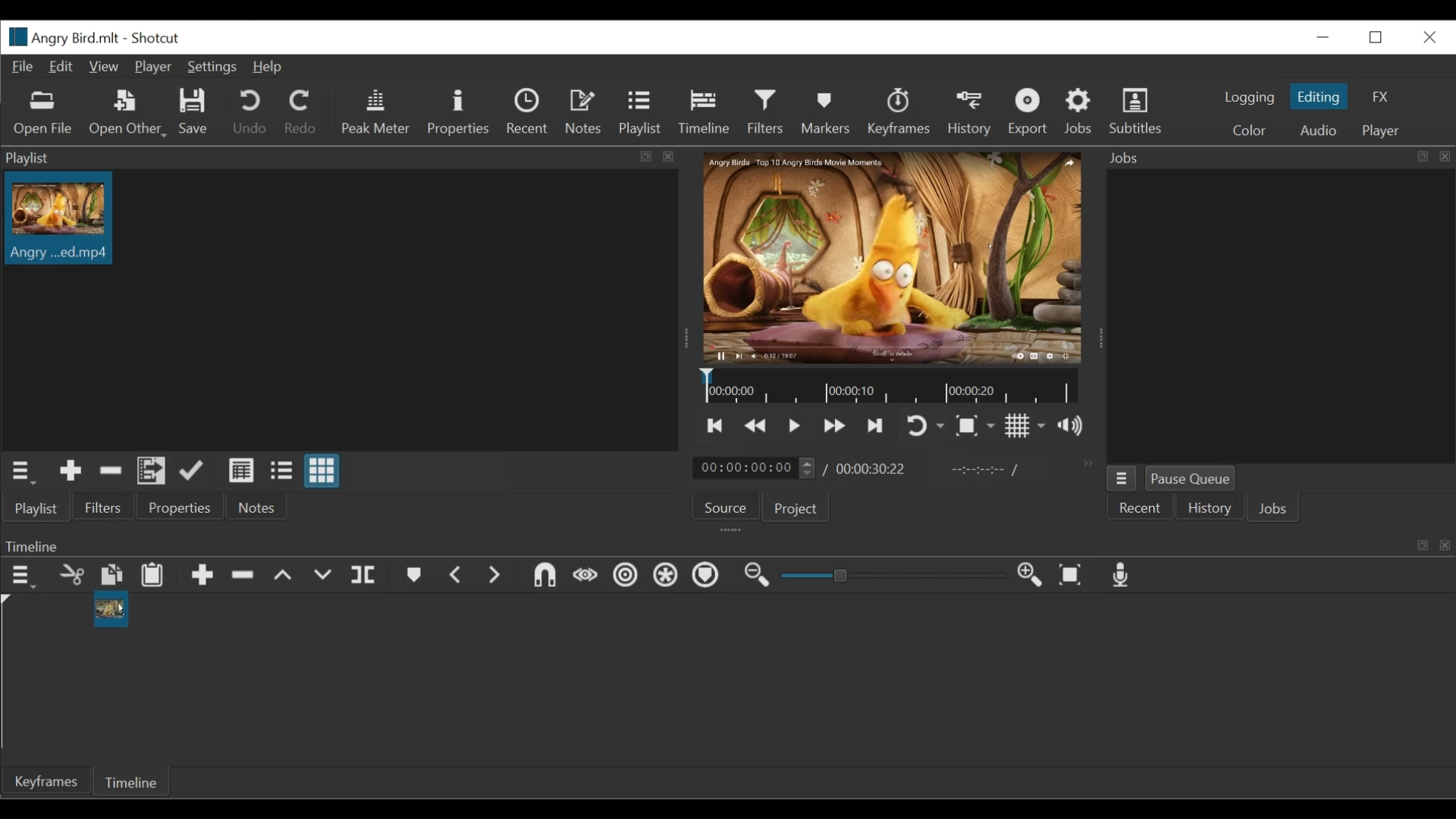  Describe the element at coordinates (60, 36) in the screenshot. I see `File Name` at that location.